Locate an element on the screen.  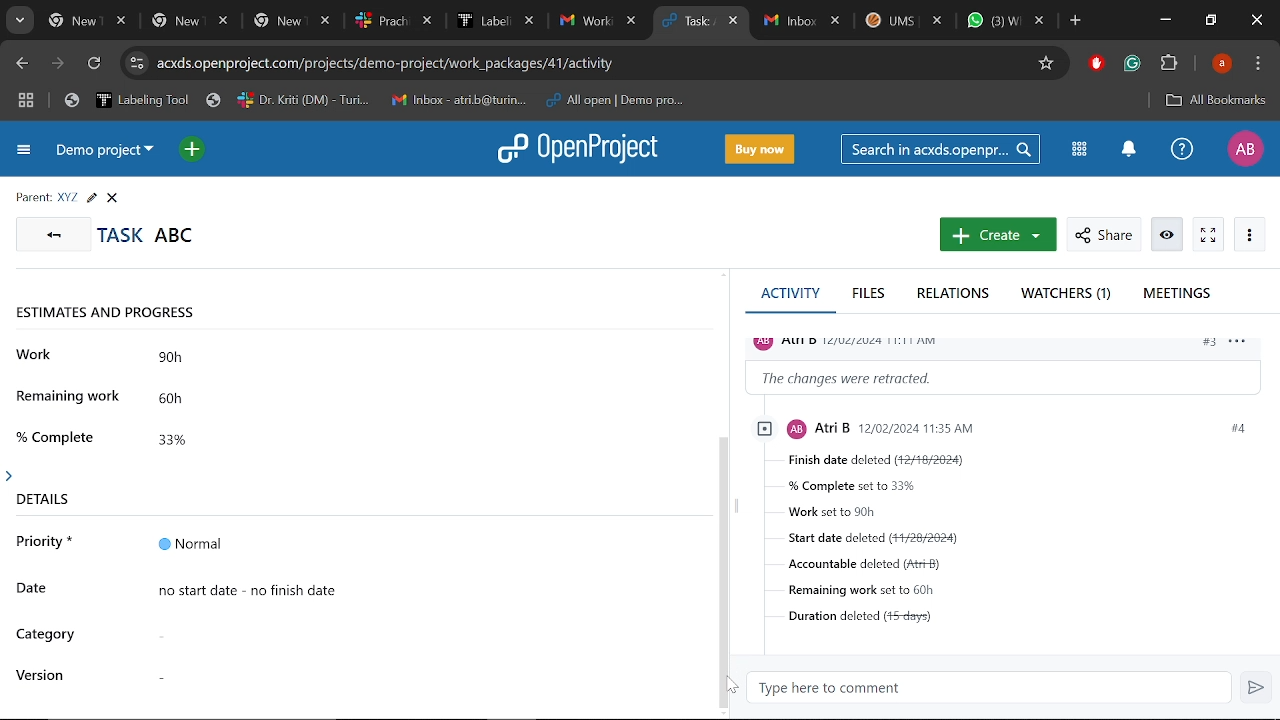
Grammerly is located at coordinates (1132, 64).